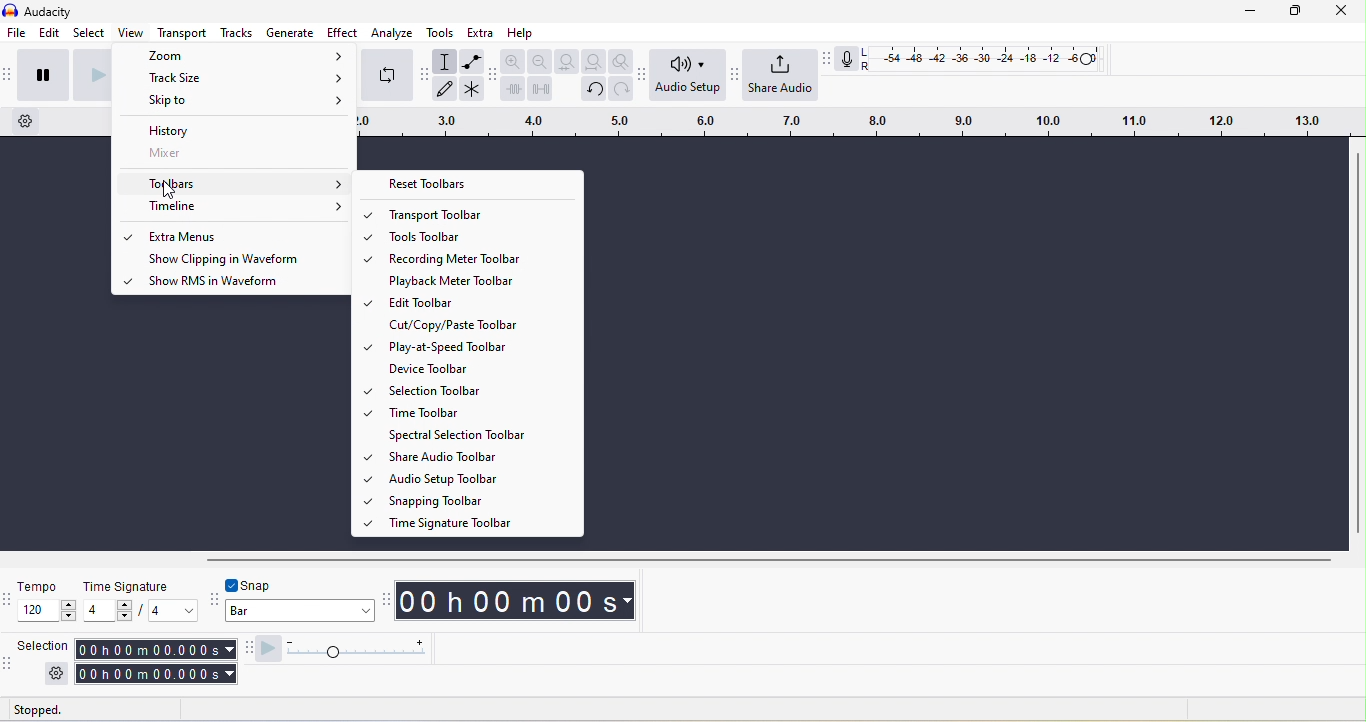  What do you see at coordinates (492, 77) in the screenshot?
I see `audacity edit toolbar` at bounding box center [492, 77].